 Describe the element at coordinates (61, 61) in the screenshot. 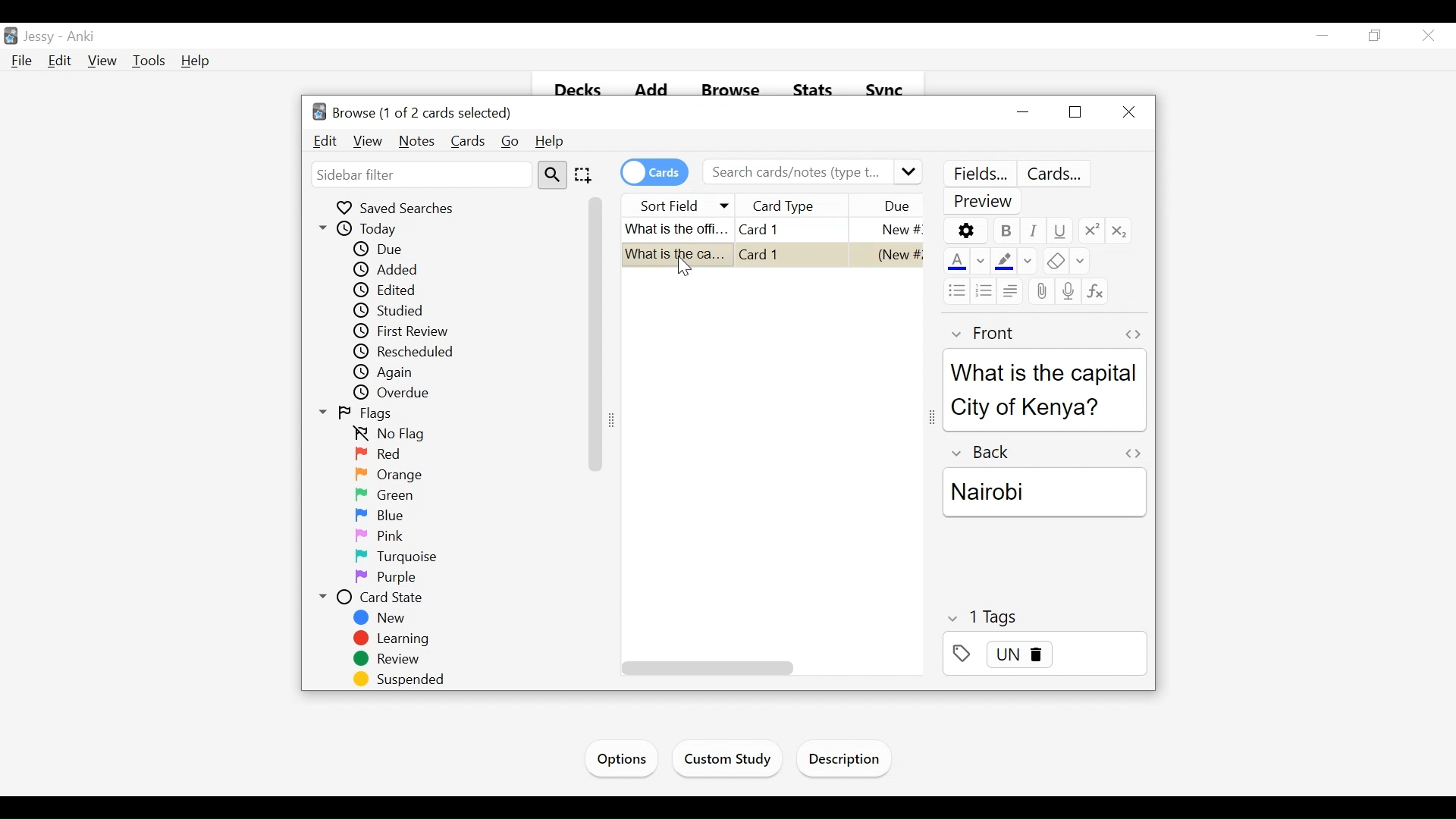

I see `Edit` at that location.